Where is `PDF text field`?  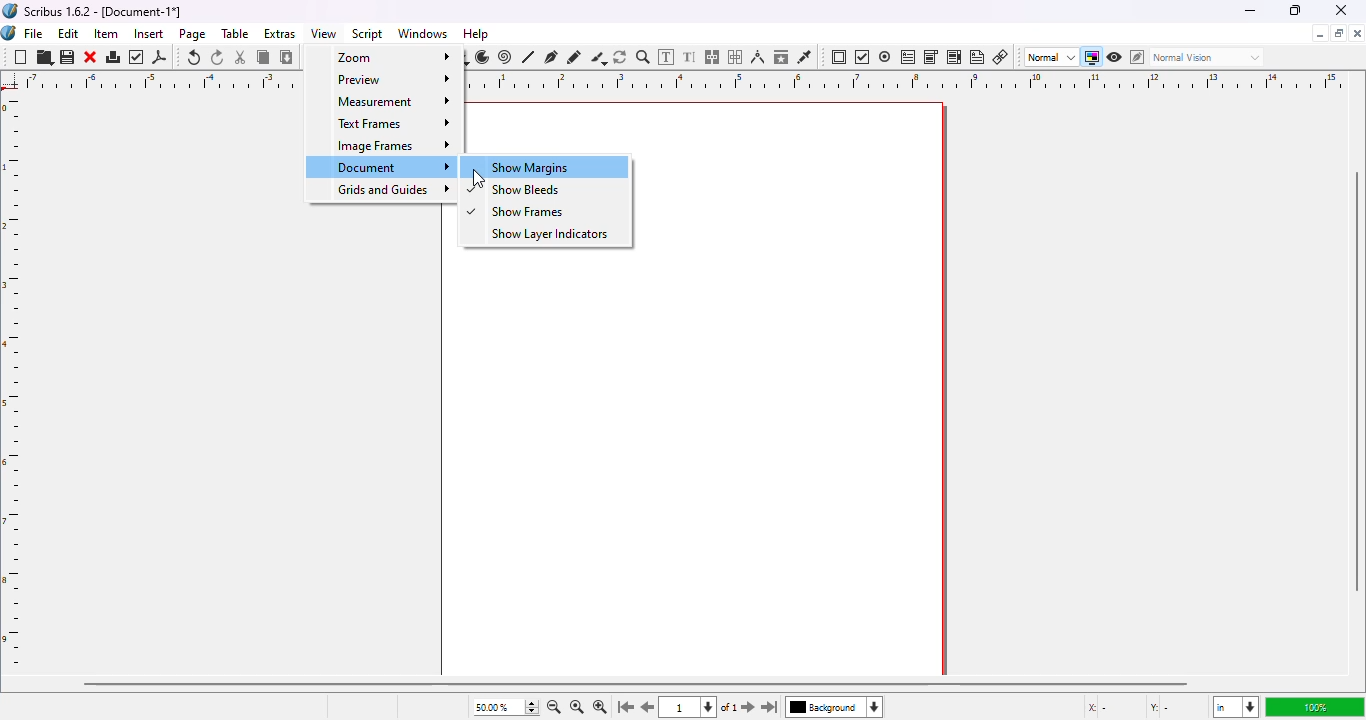
PDF text field is located at coordinates (908, 56).